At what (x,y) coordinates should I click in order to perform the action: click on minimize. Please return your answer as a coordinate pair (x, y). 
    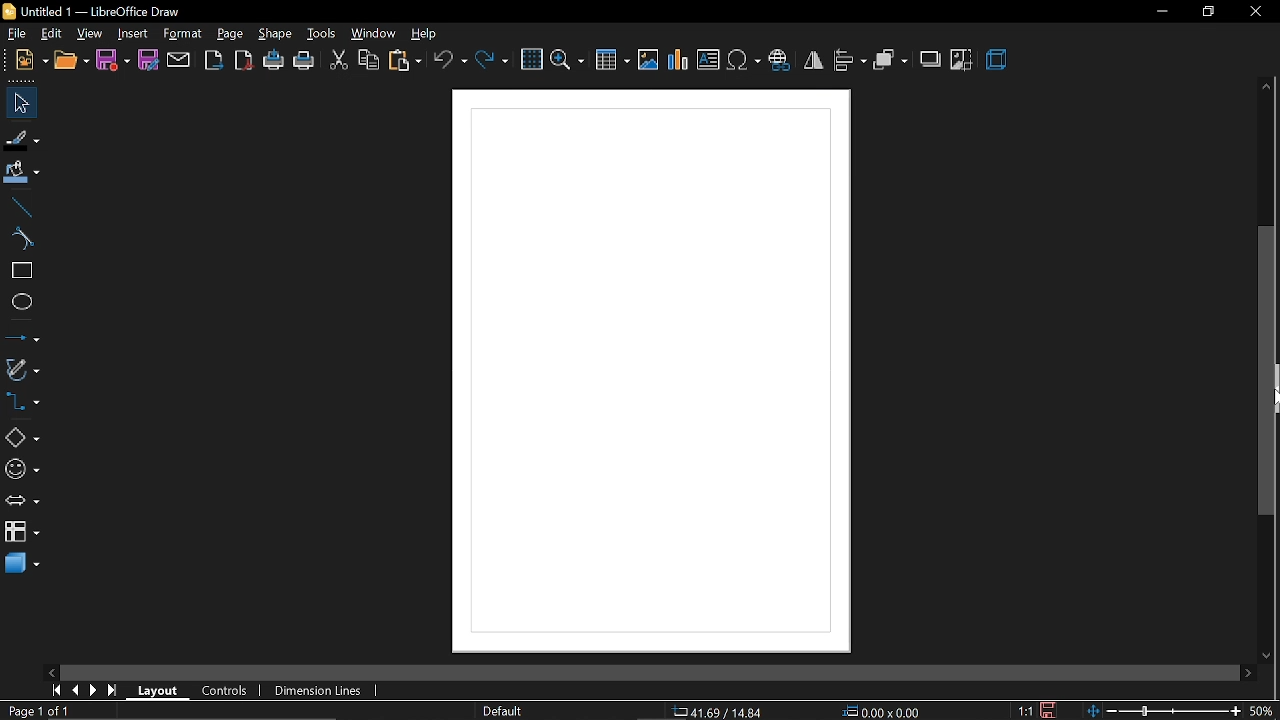
    Looking at the image, I should click on (1160, 12).